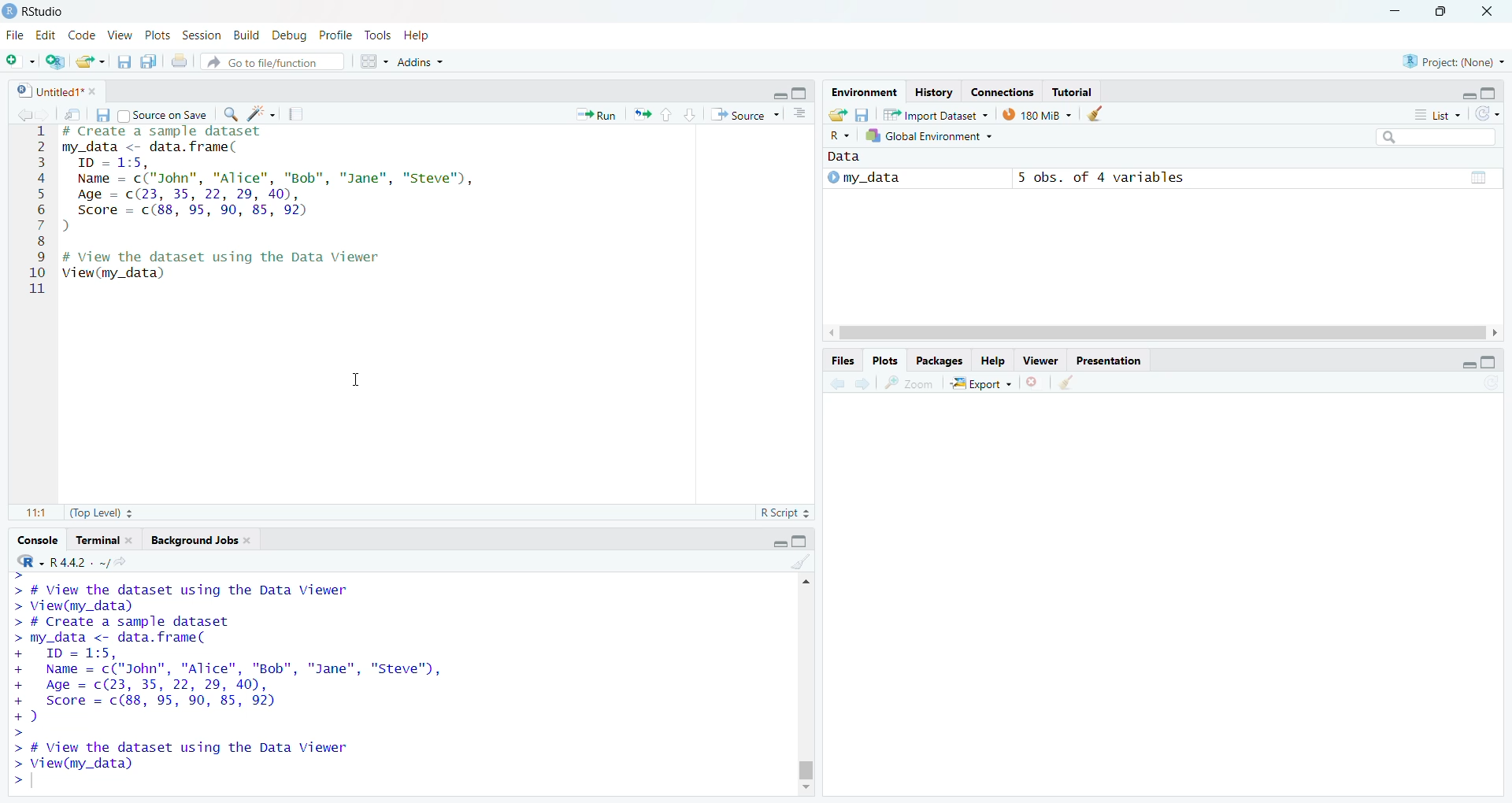 The width and height of the screenshot is (1512, 803). Describe the element at coordinates (1440, 12) in the screenshot. I see `Maximize` at that location.